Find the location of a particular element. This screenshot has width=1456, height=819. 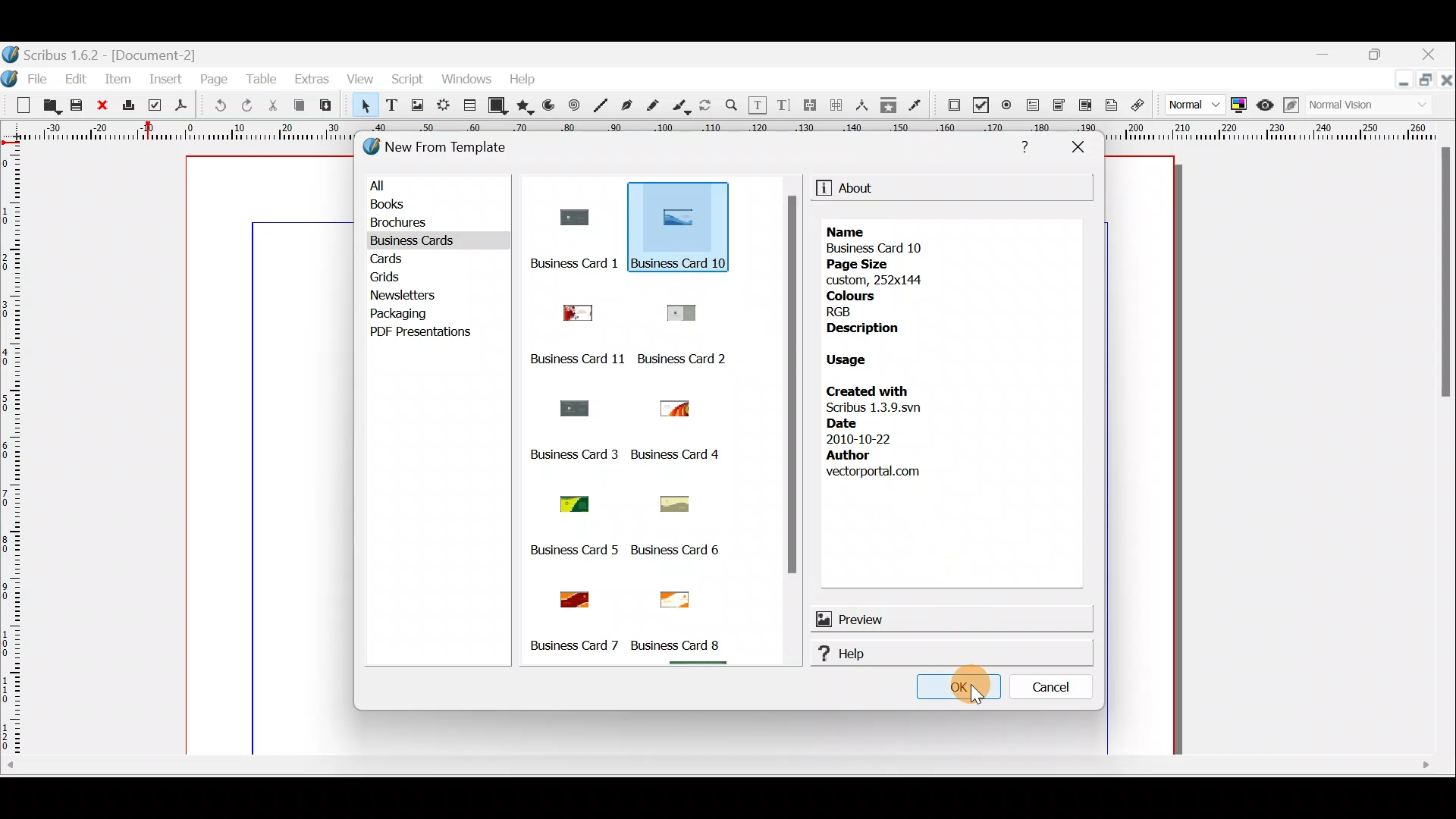

Business Card 5 is located at coordinates (573, 551).